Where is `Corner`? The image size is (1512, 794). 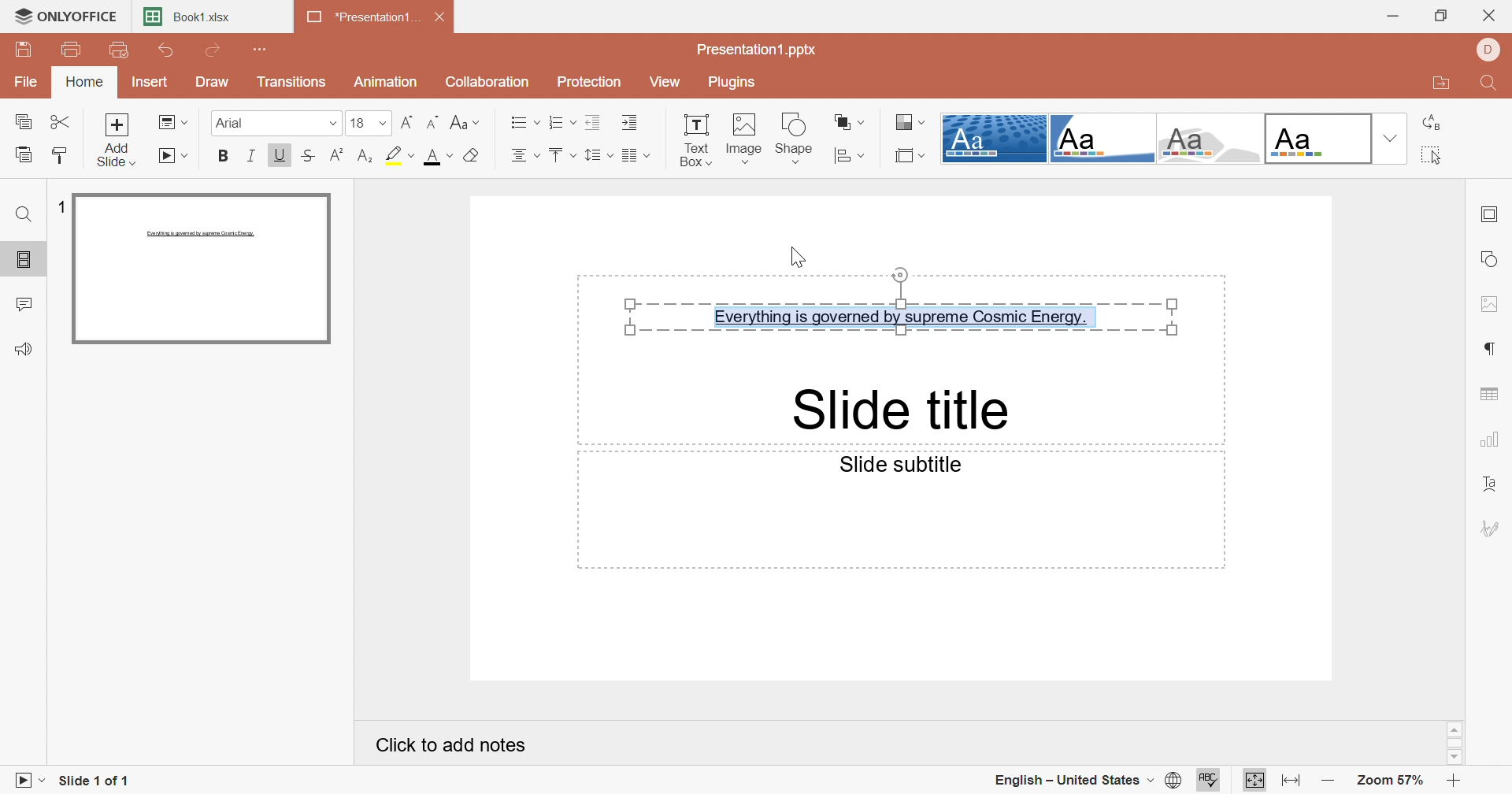
Corner is located at coordinates (641, 155).